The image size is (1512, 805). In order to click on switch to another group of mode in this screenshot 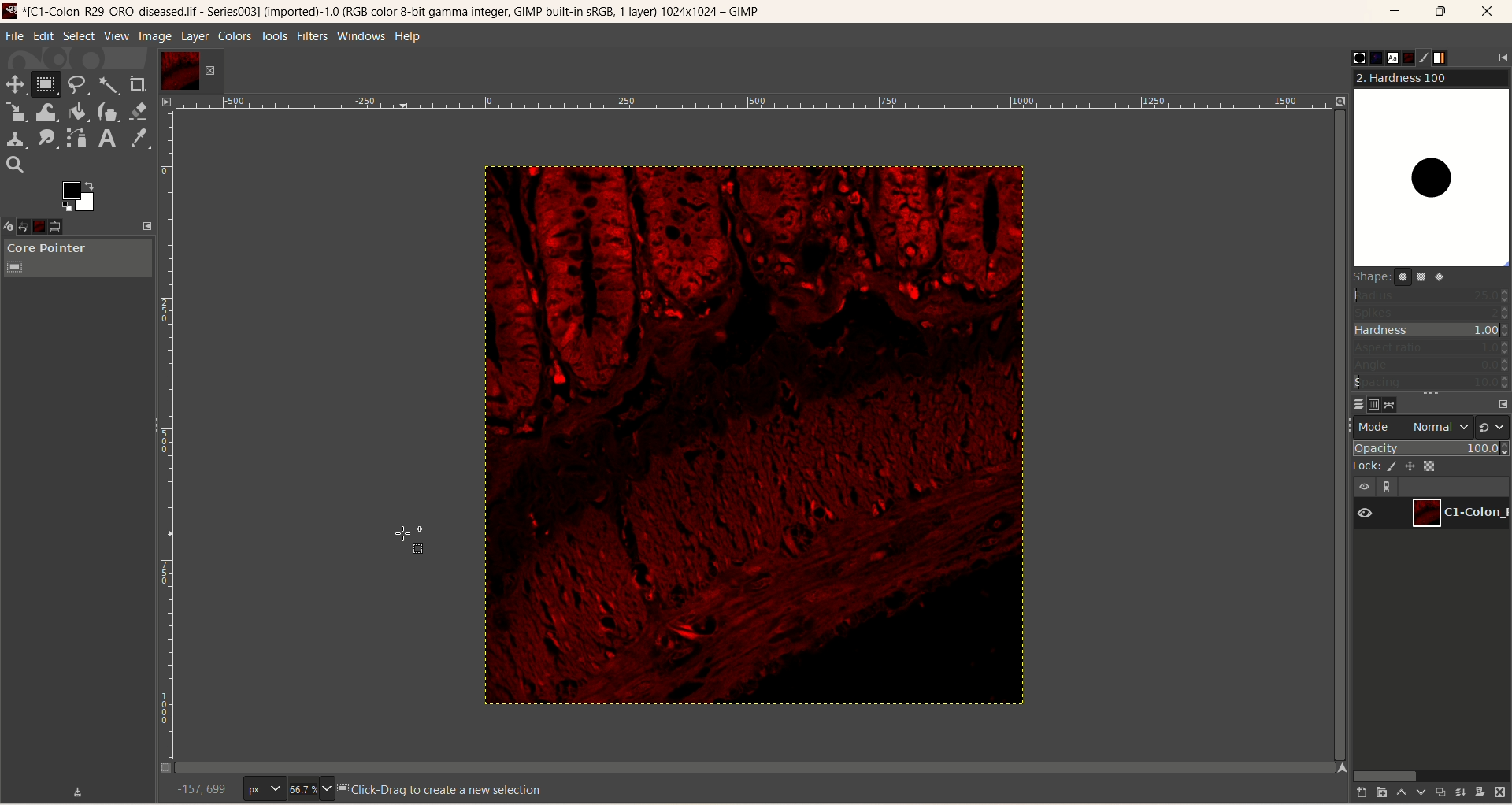, I will do `click(1494, 426)`.